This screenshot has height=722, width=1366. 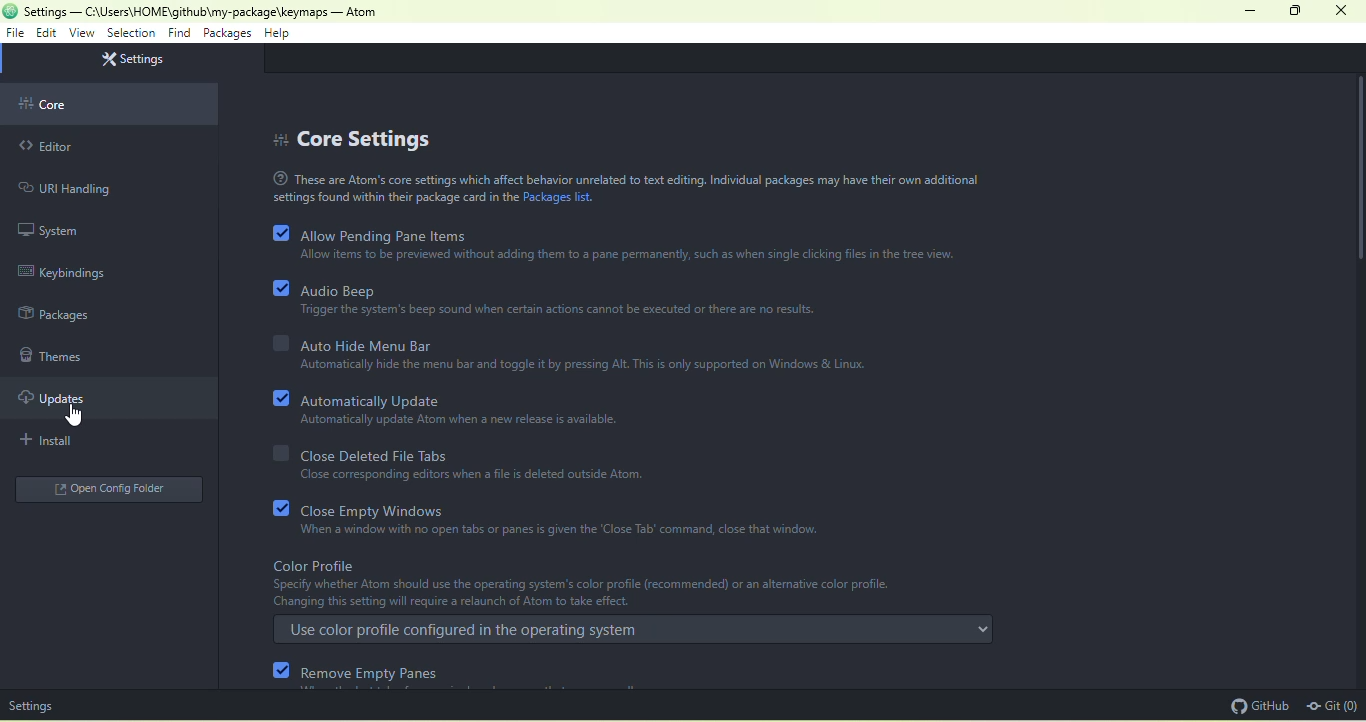 I want to click on editor, so click(x=96, y=145).